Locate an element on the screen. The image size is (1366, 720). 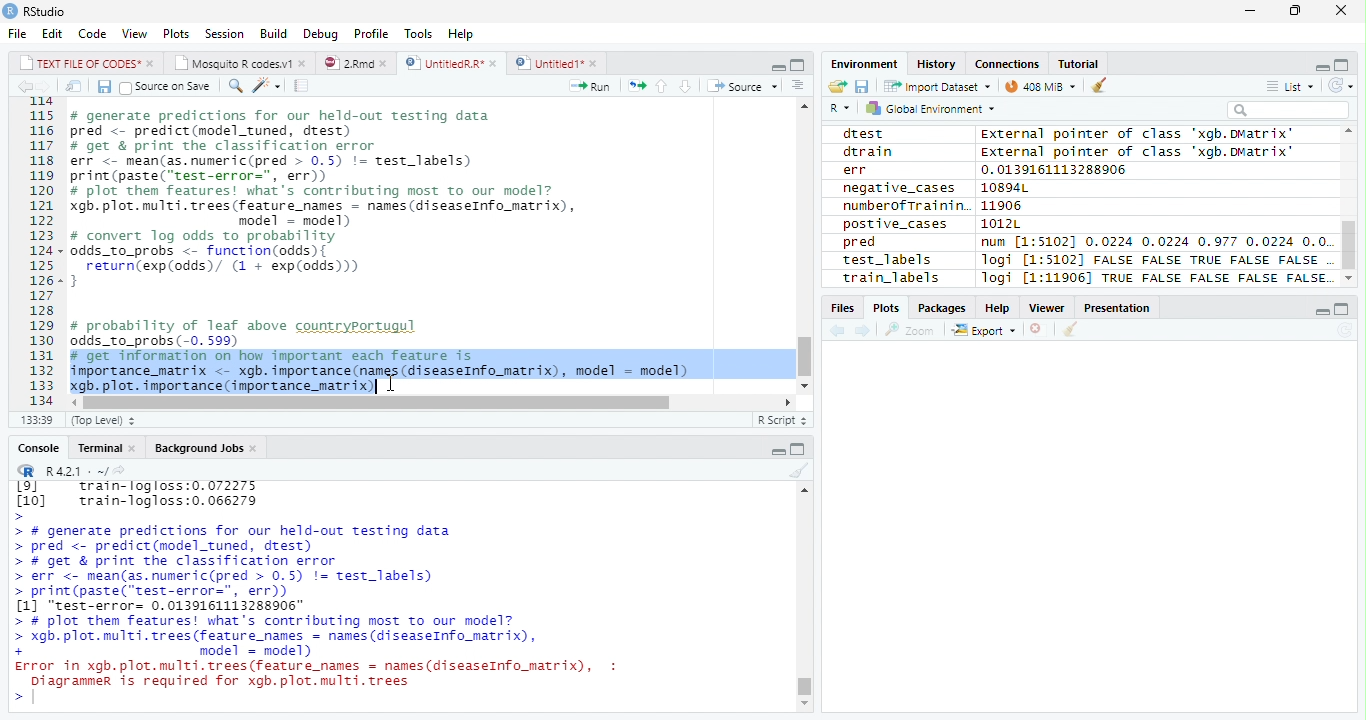
Clean is located at coordinates (795, 471).